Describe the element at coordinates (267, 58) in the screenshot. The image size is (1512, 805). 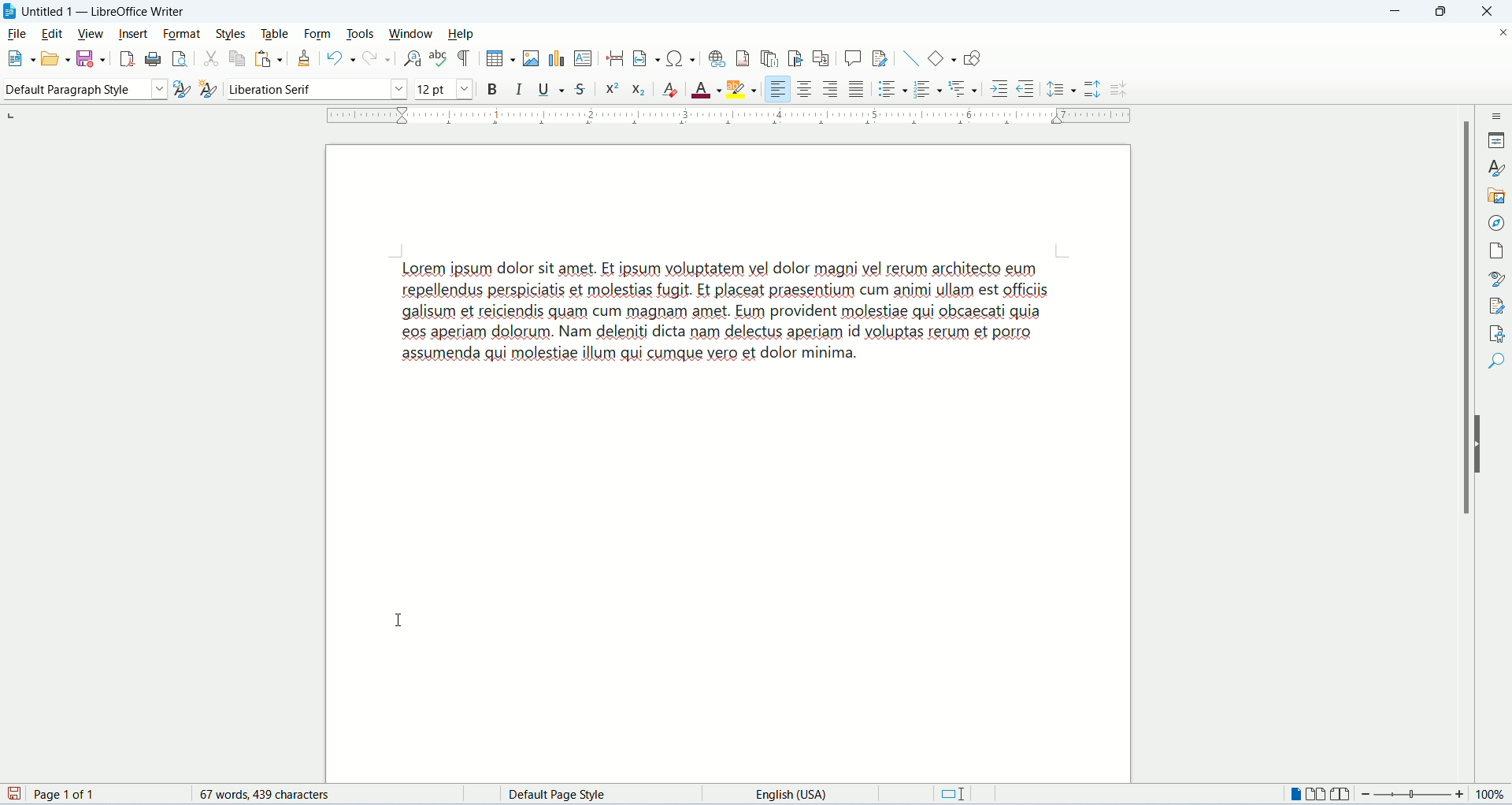
I see `paste` at that location.